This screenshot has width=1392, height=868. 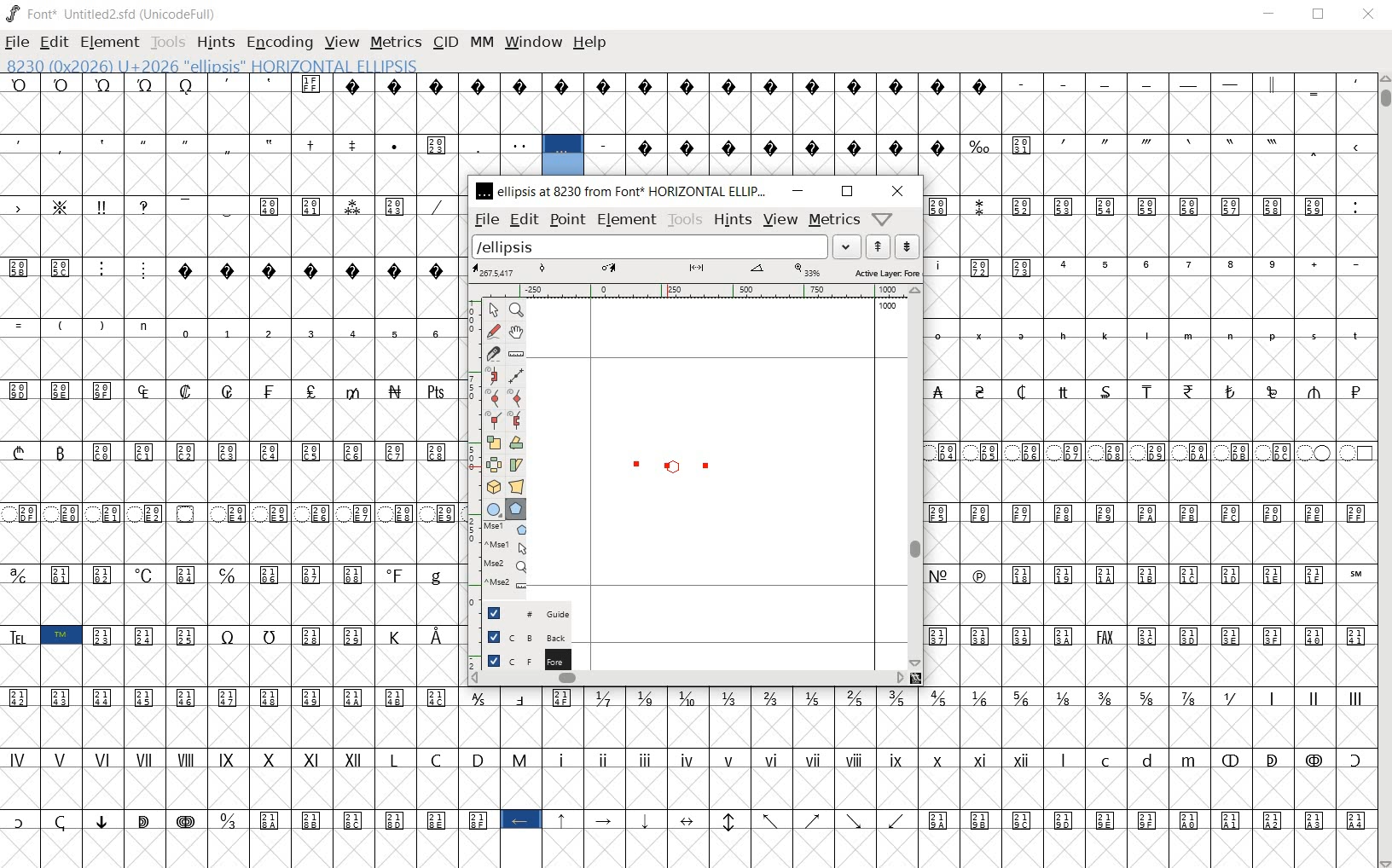 I want to click on scrollbar, so click(x=915, y=478).